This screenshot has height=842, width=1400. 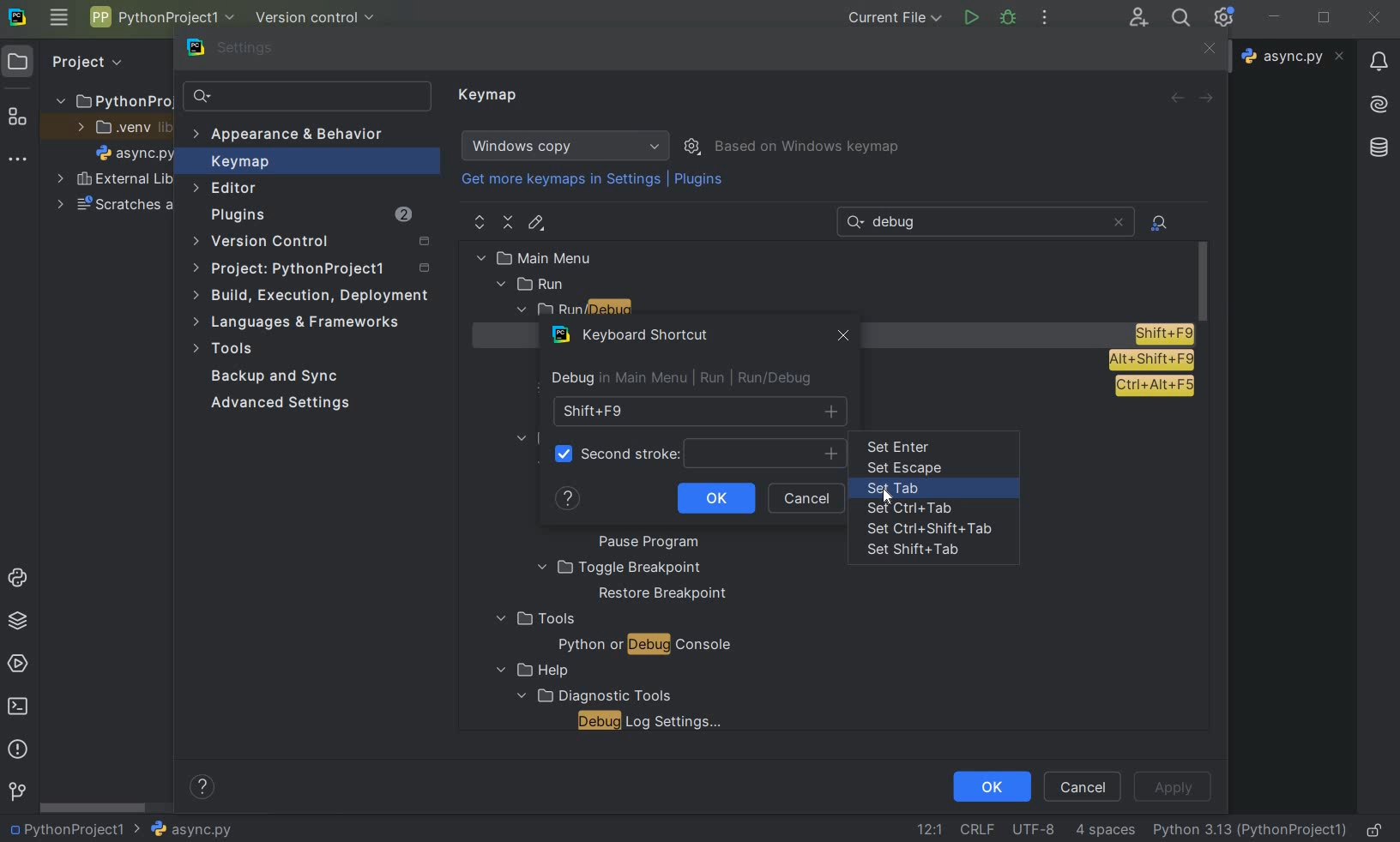 What do you see at coordinates (694, 145) in the screenshot?
I see `show scheme actions` at bounding box center [694, 145].